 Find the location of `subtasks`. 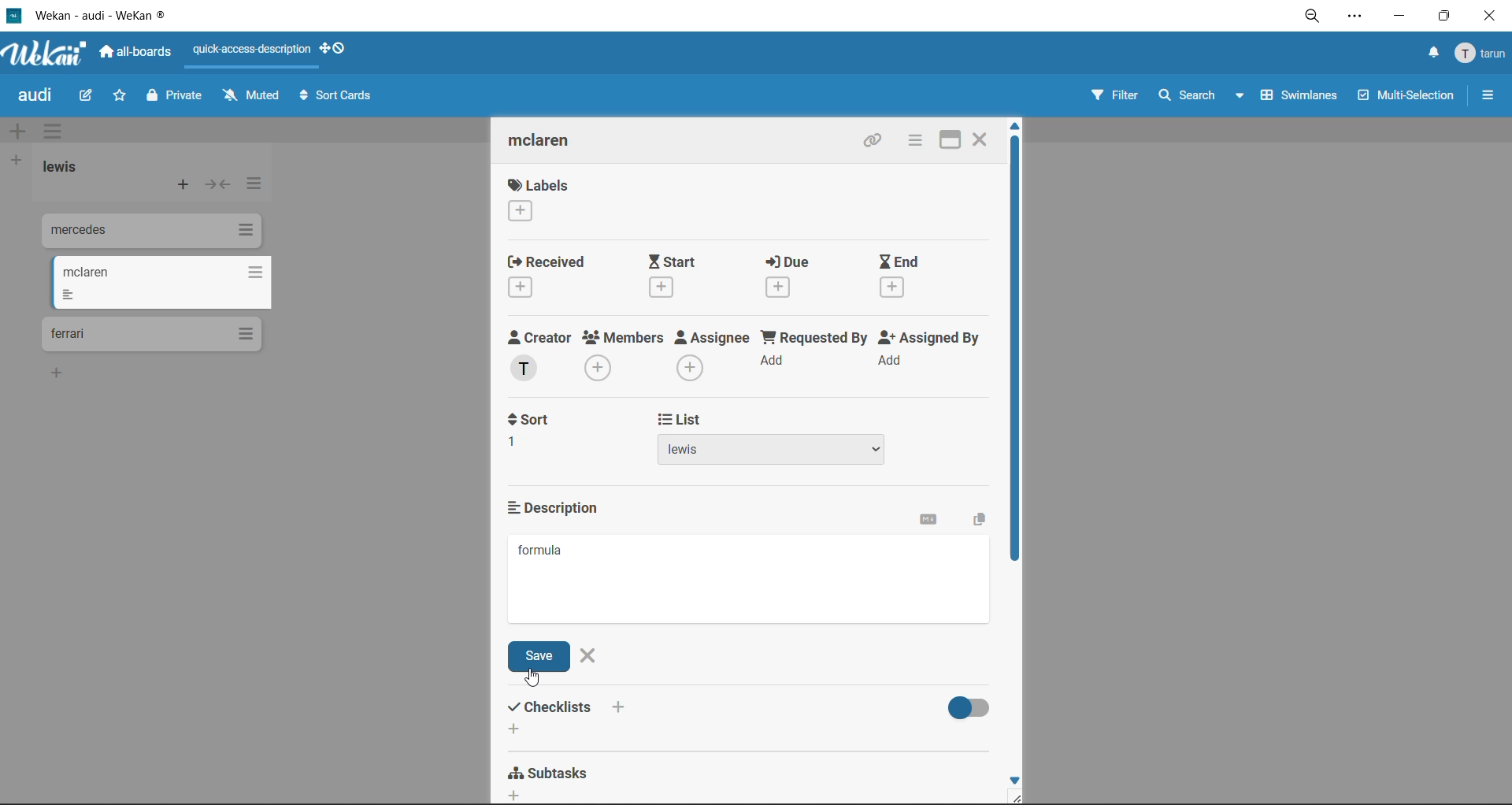

subtasks is located at coordinates (555, 779).